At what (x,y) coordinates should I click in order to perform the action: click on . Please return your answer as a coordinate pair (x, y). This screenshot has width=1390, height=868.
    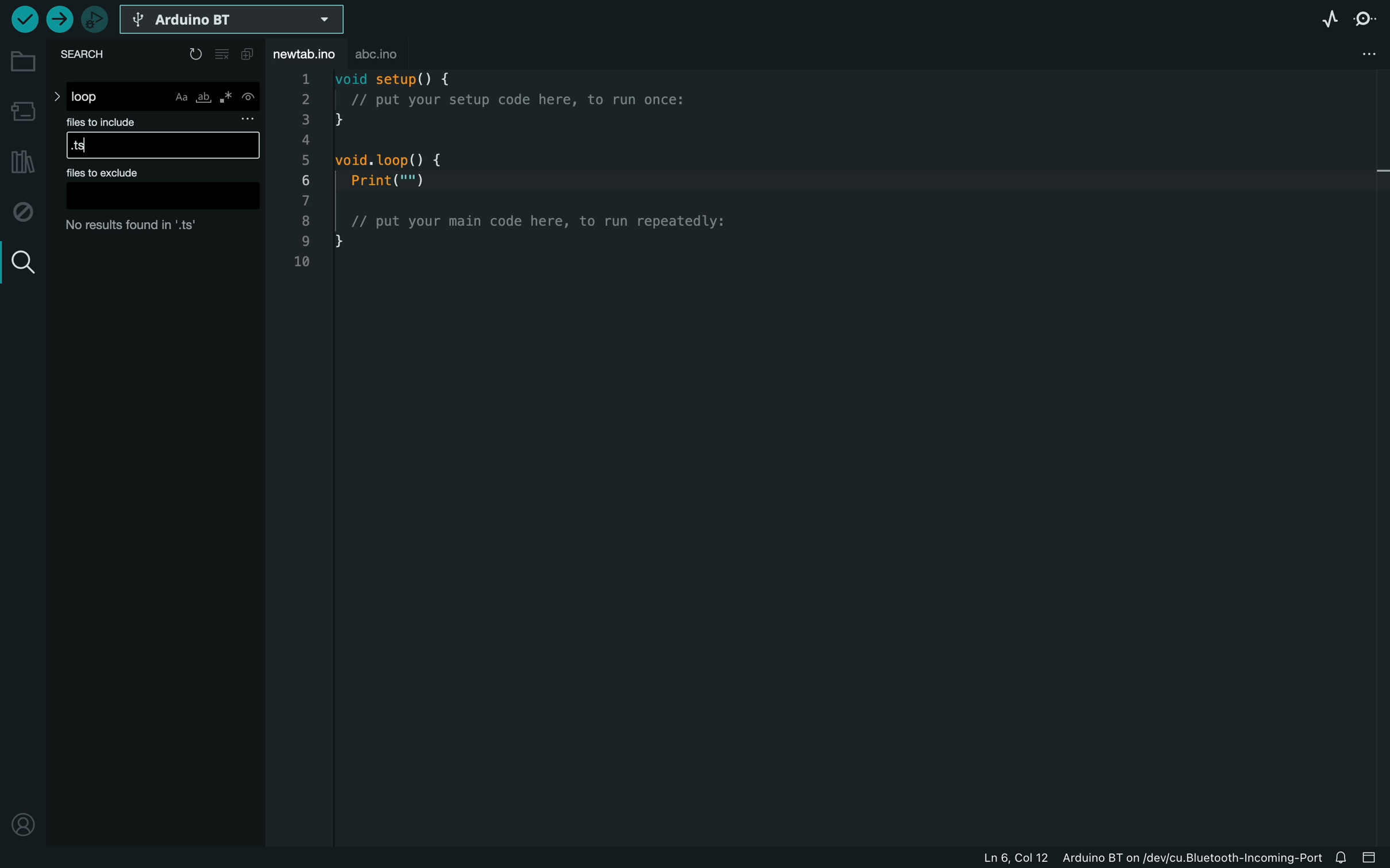
    Looking at the image, I should click on (163, 198).